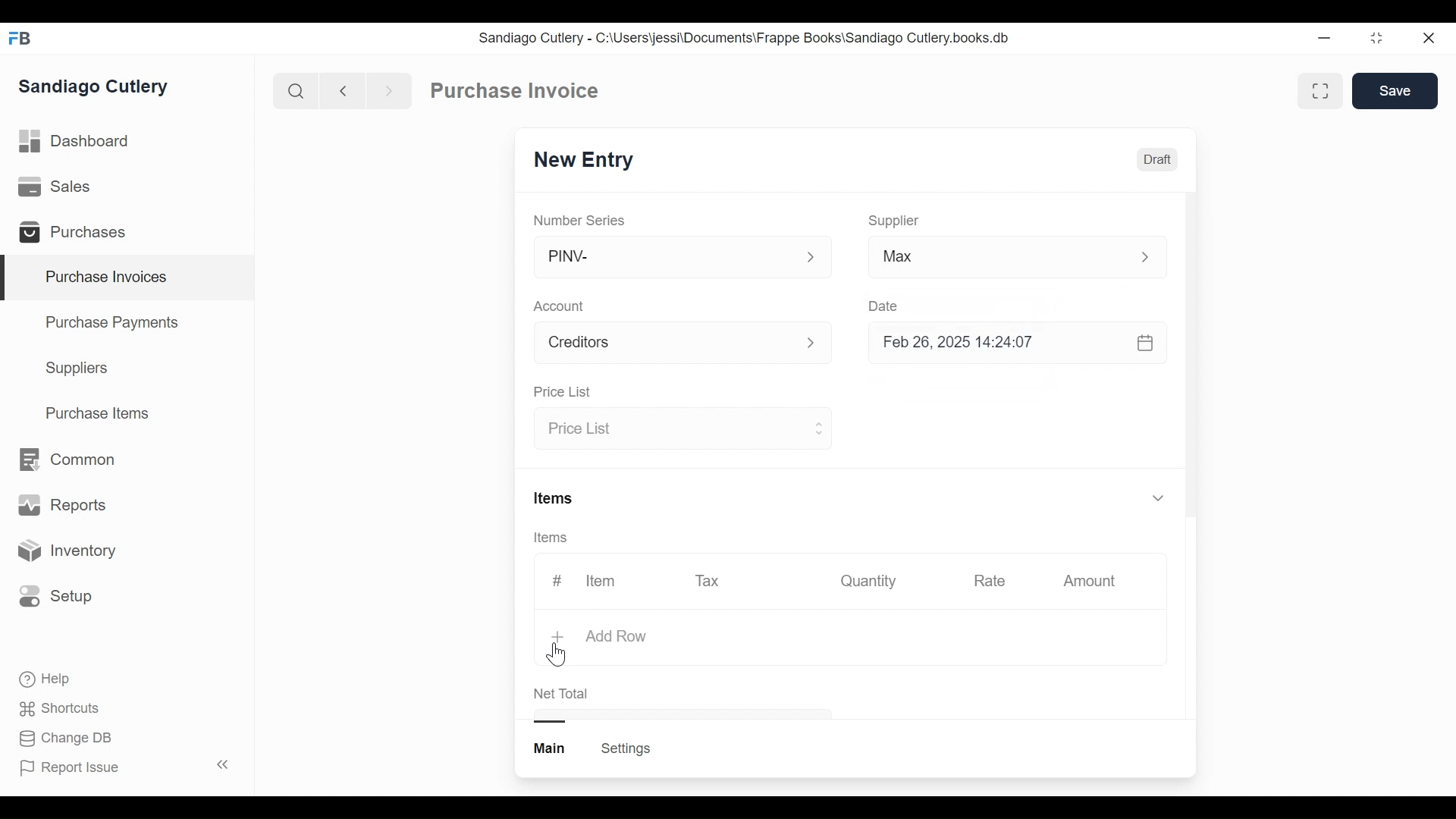 The image size is (1456, 819). What do you see at coordinates (817, 427) in the screenshot?
I see `Expand` at bounding box center [817, 427].